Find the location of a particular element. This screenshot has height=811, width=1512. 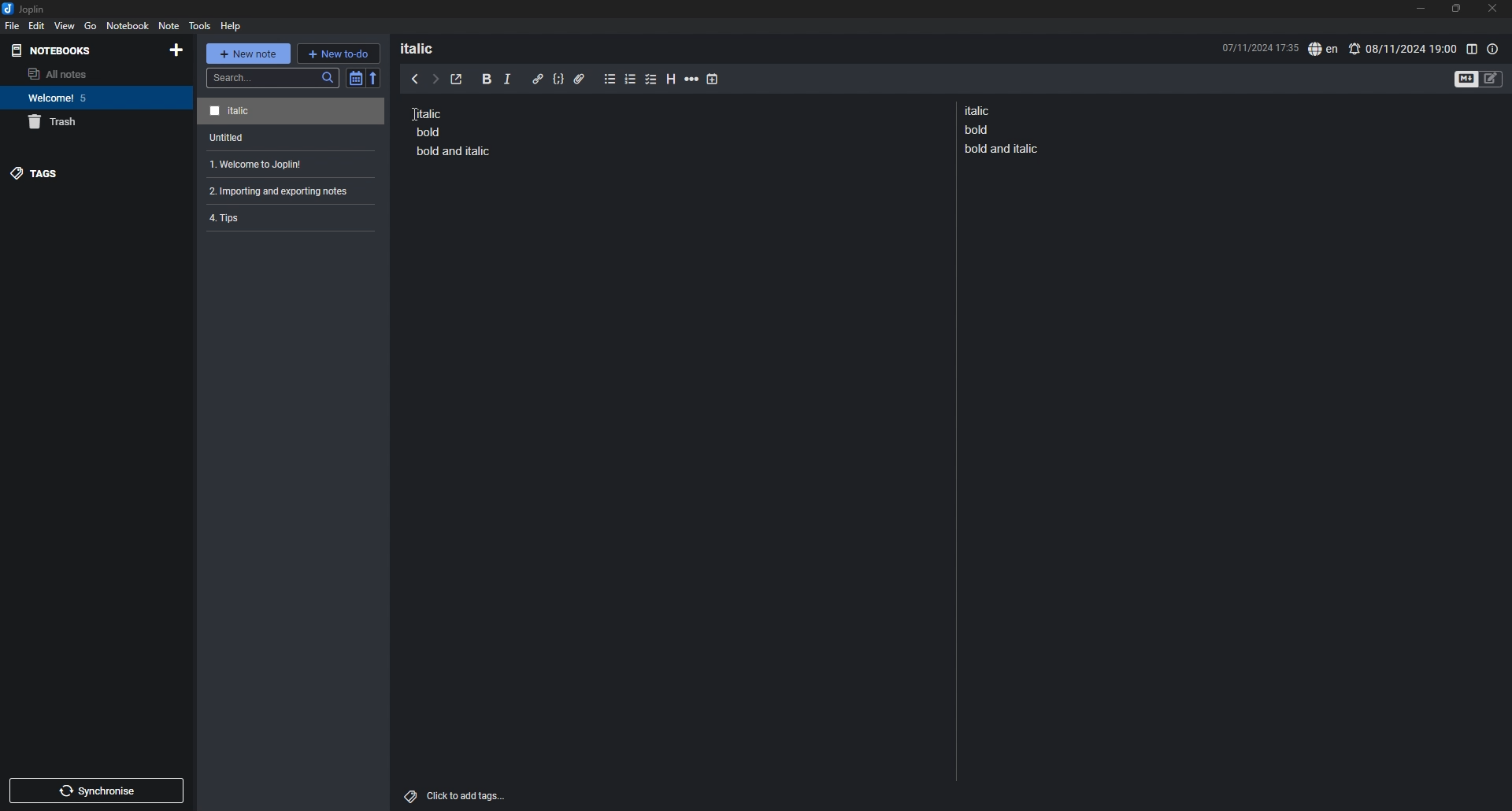

tools is located at coordinates (200, 25).